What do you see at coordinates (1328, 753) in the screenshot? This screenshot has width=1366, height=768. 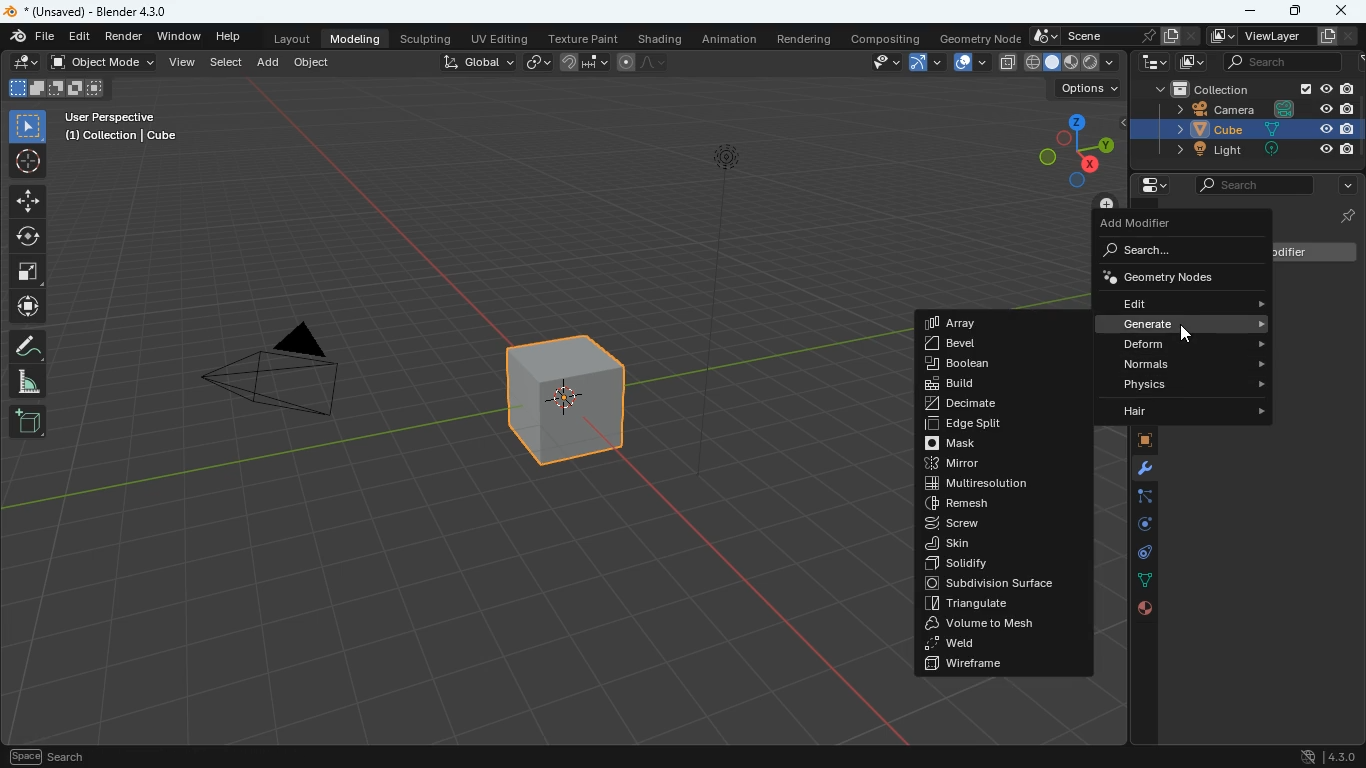 I see `version` at bounding box center [1328, 753].